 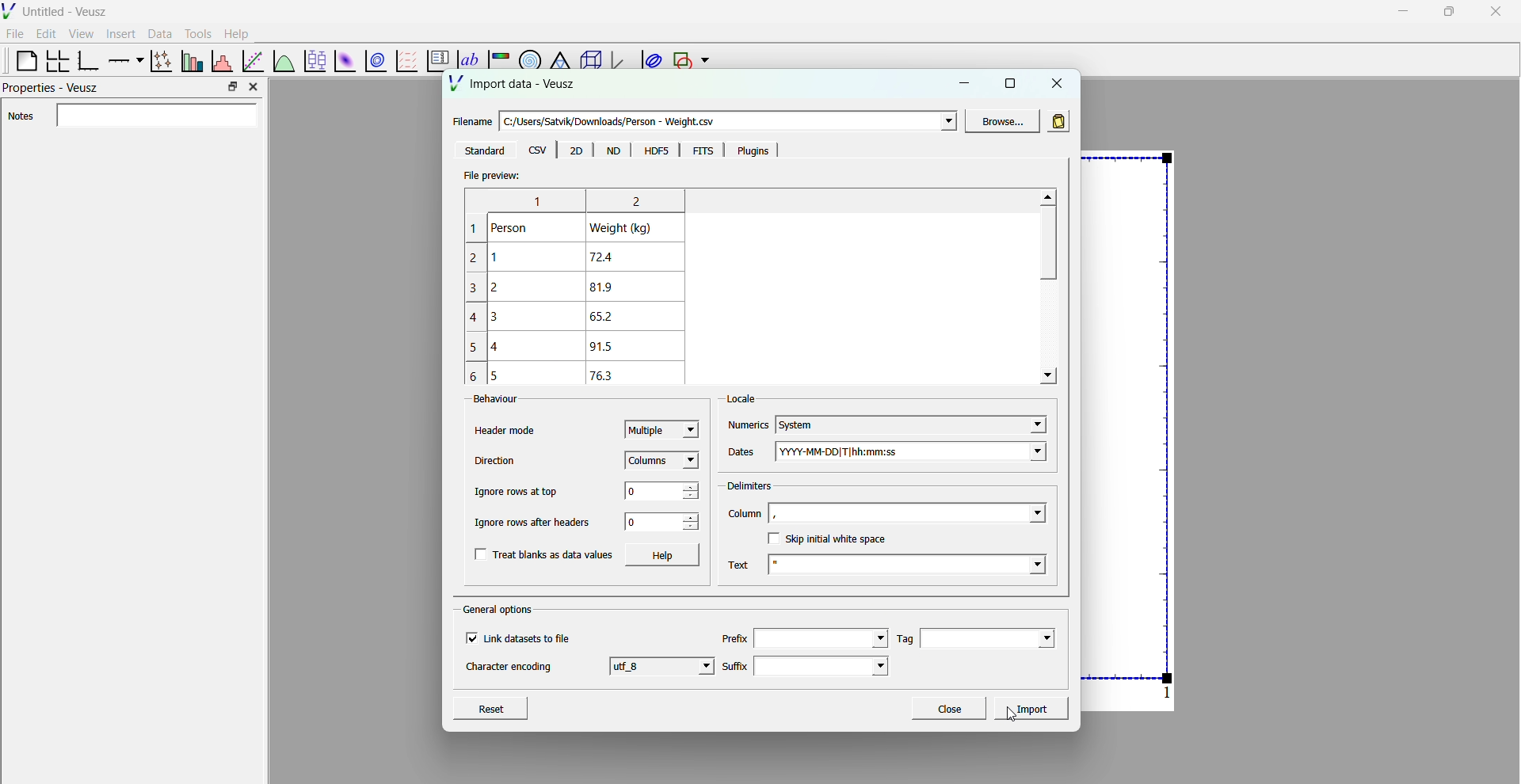 I want to click on delimiters, so click(x=748, y=483).